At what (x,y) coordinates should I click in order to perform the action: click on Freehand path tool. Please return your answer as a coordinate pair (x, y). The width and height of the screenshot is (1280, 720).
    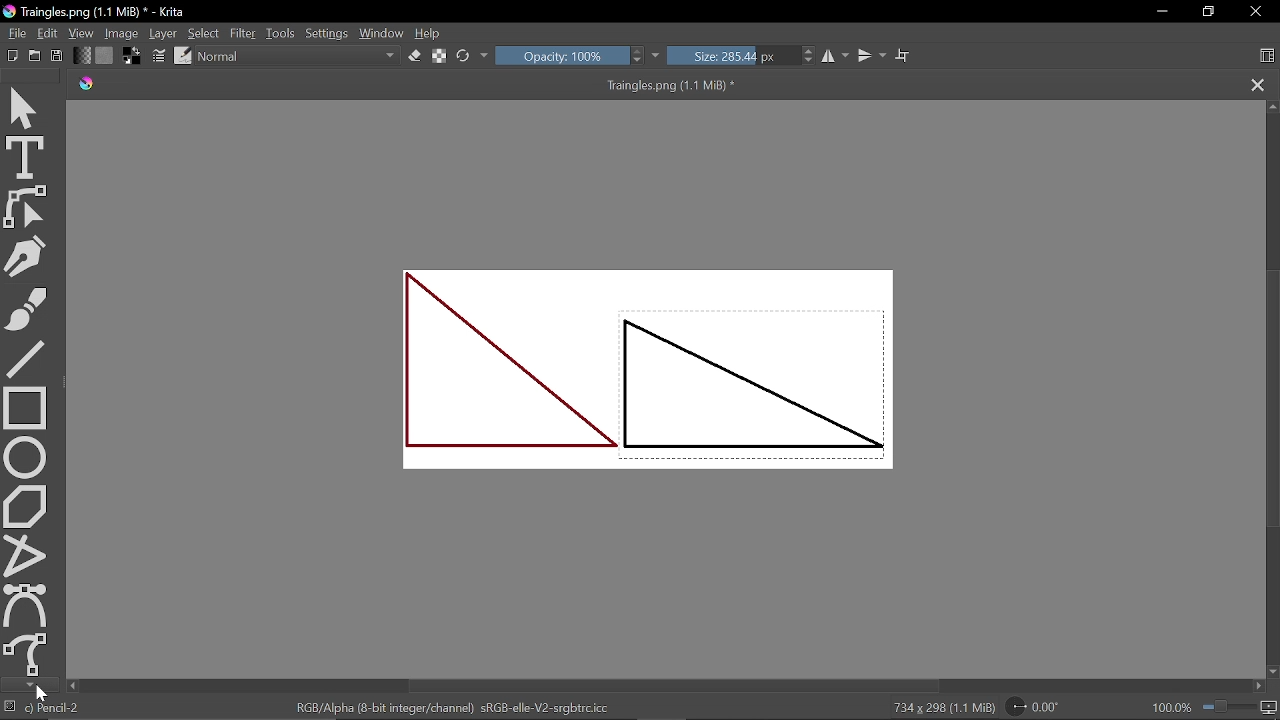
    Looking at the image, I should click on (26, 654).